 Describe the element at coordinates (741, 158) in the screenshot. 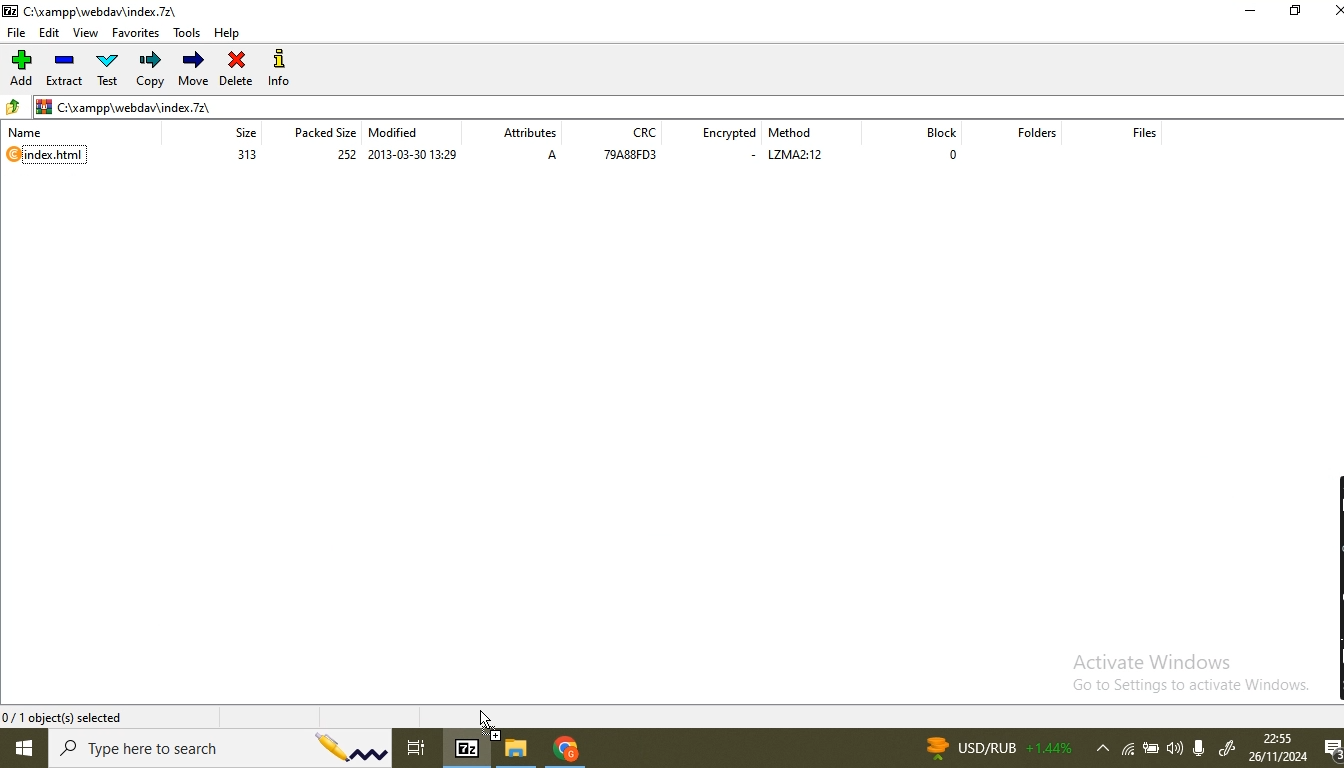

I see `-` at that location.